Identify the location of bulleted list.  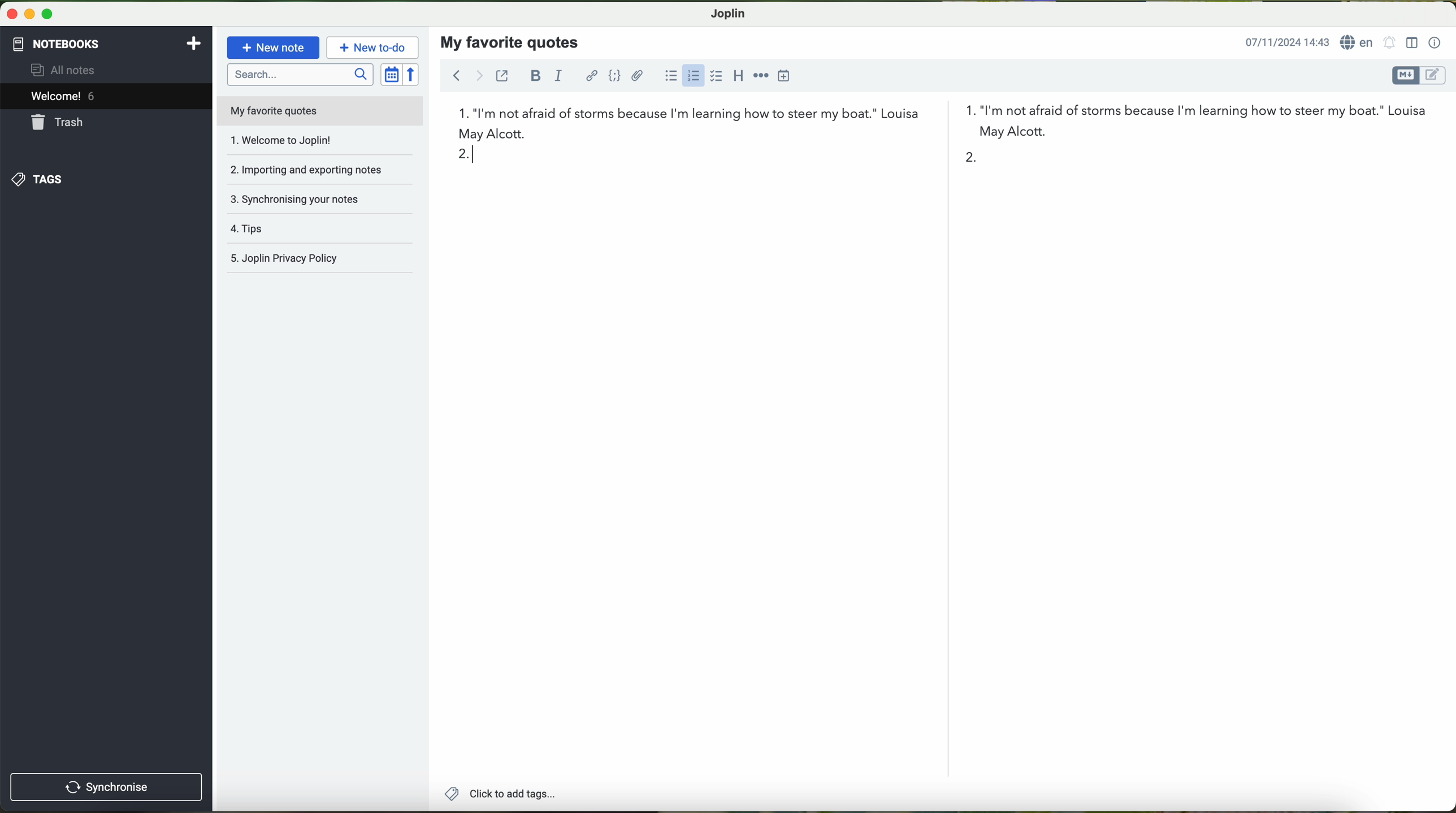
(670, 77).